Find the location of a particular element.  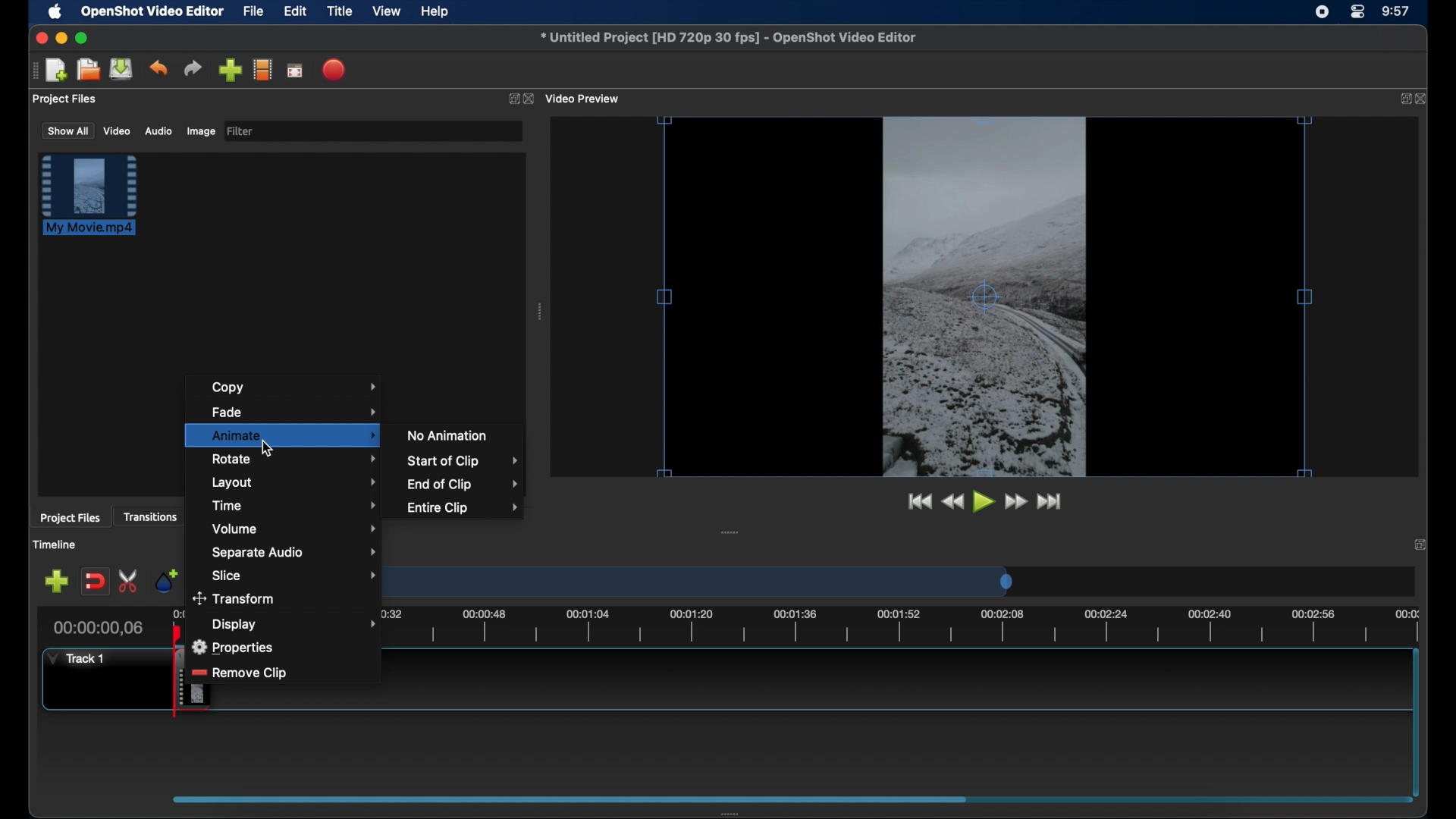

time menu is located at coordinates (295, 504).